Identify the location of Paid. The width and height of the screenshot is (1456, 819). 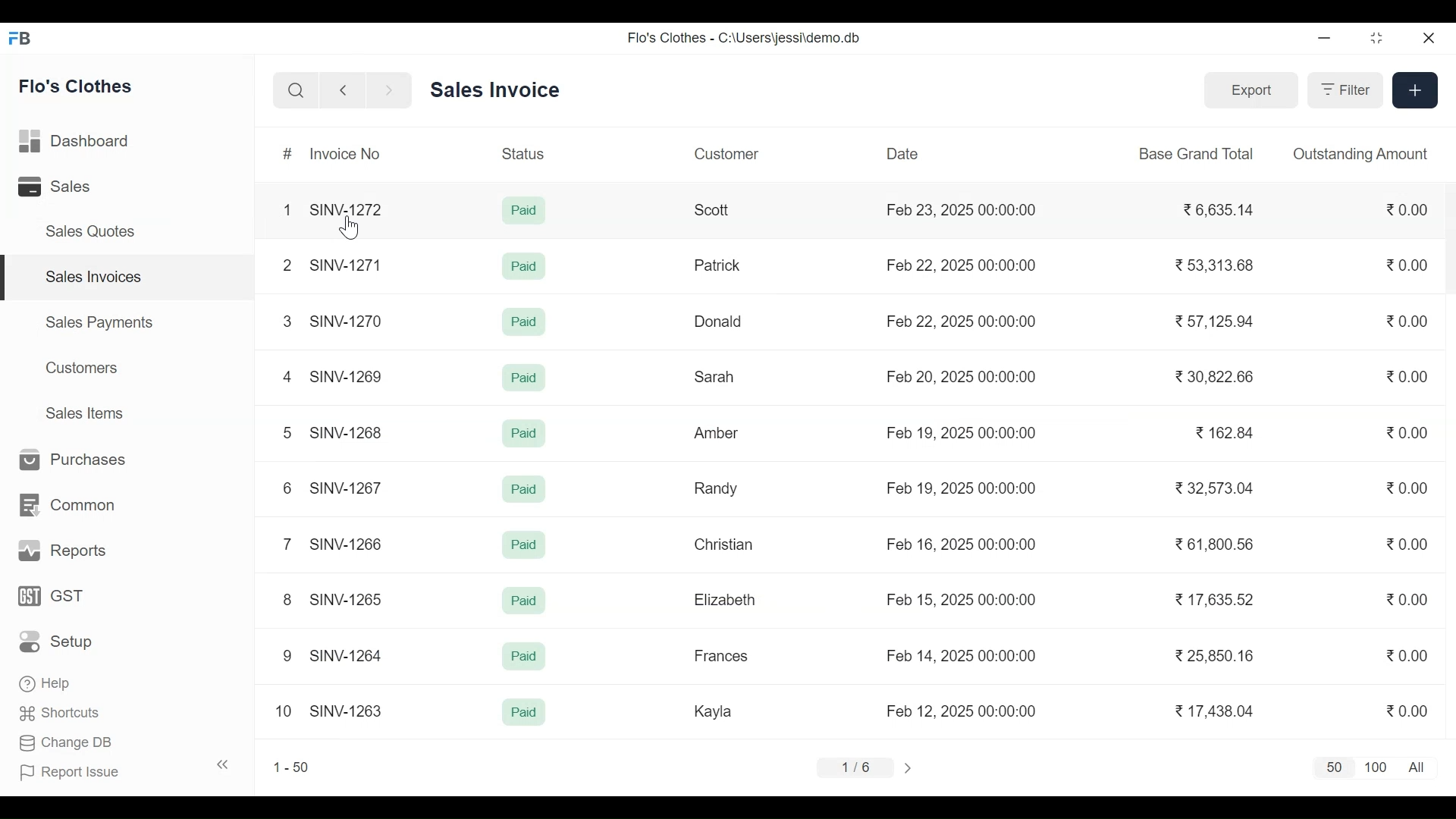
(524, 435).